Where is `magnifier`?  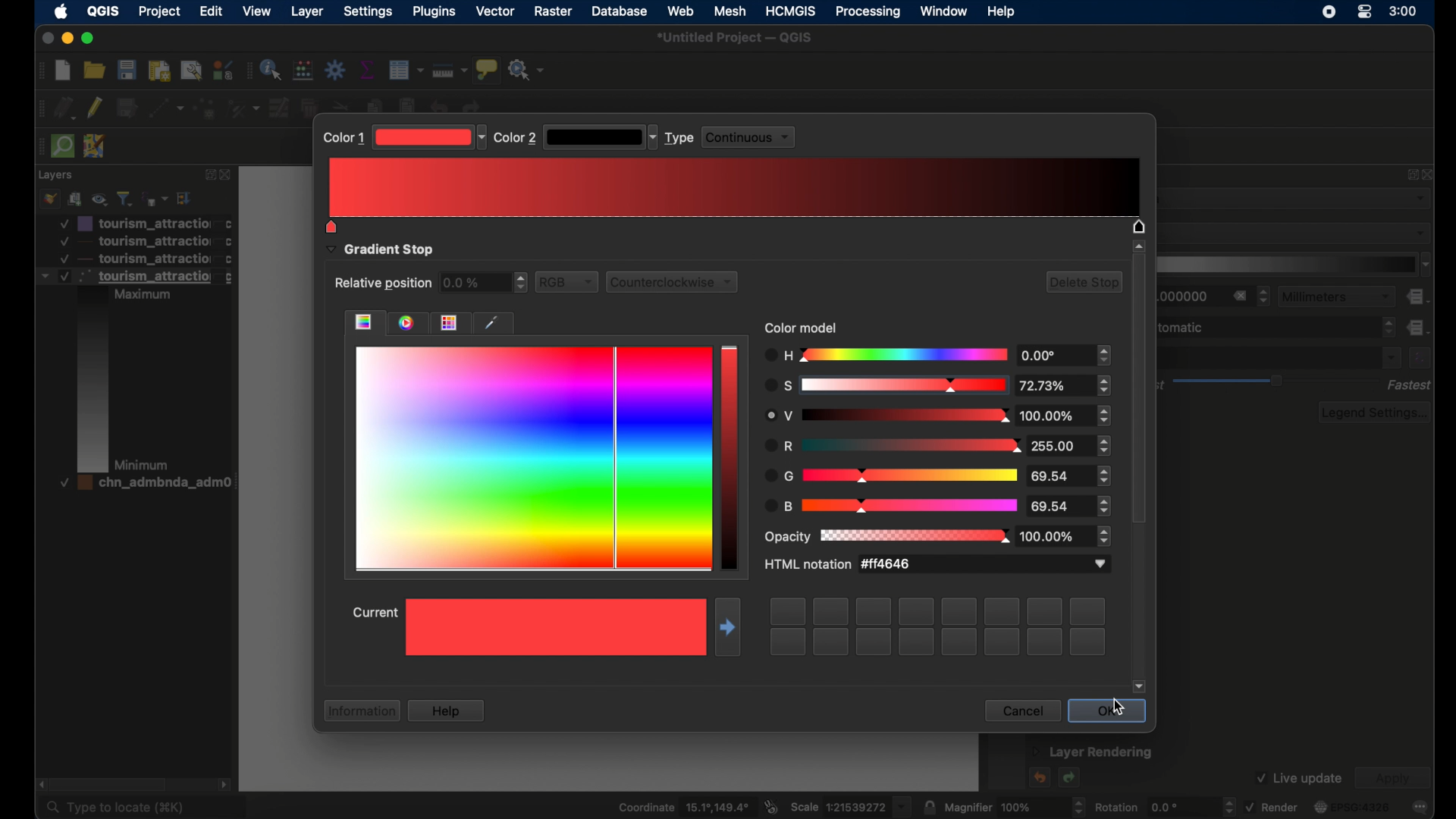
magnifier is located at coordinates (1015, 806).